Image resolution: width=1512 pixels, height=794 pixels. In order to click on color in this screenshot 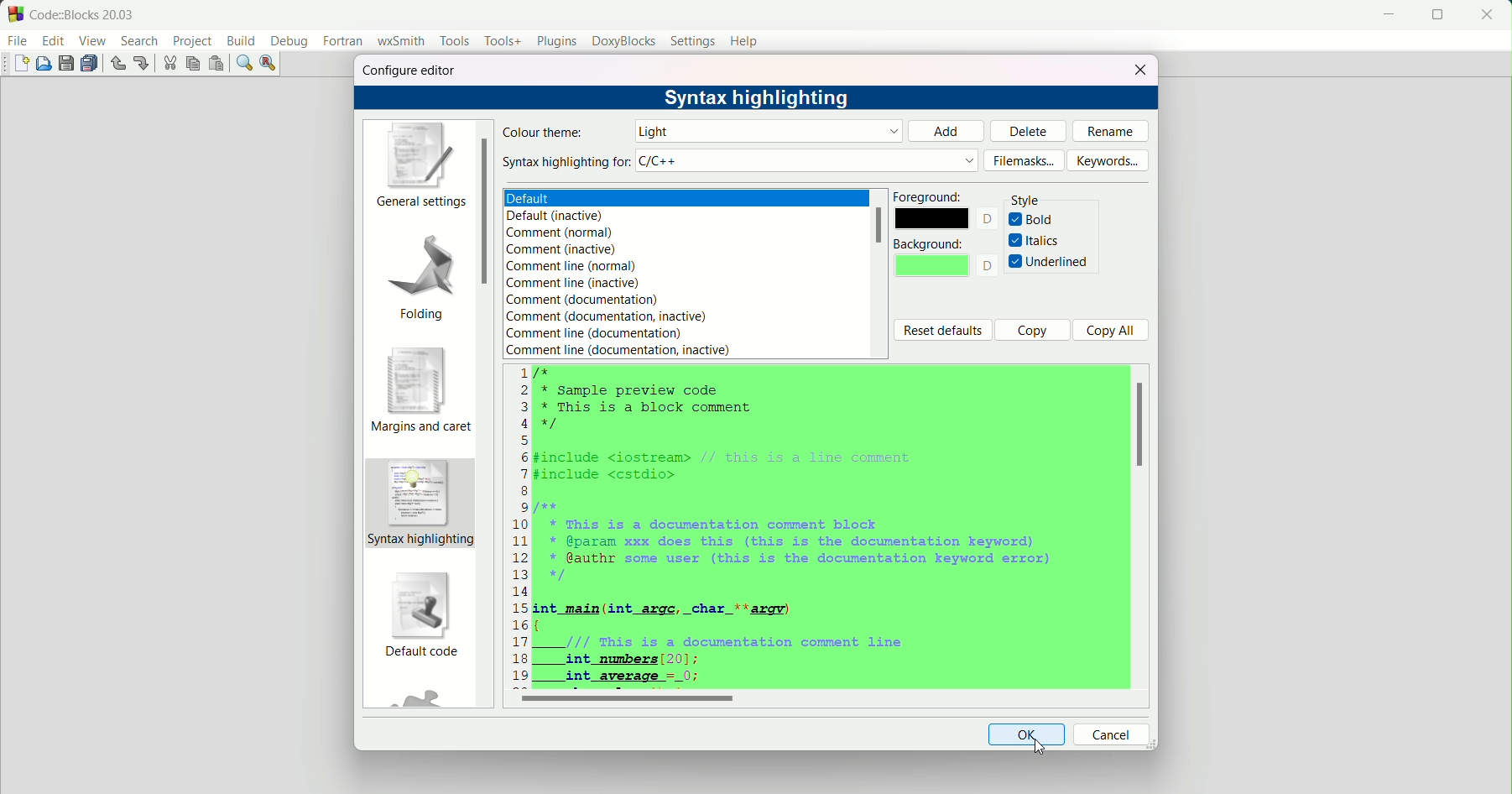, I will do `click(932, 265)`.